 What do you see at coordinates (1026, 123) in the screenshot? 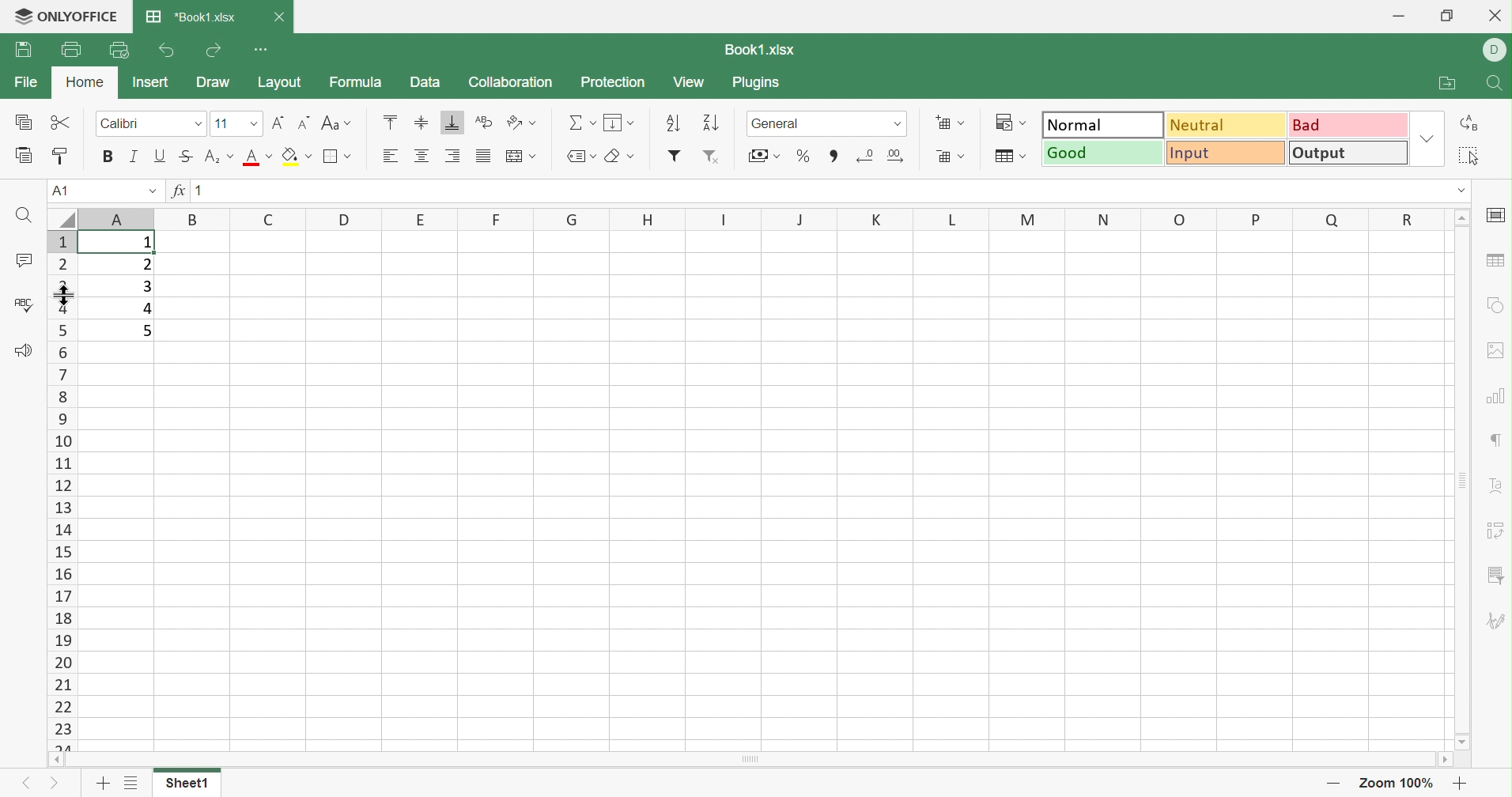
I see `Drop Down` at bounding box center [1026, 123].